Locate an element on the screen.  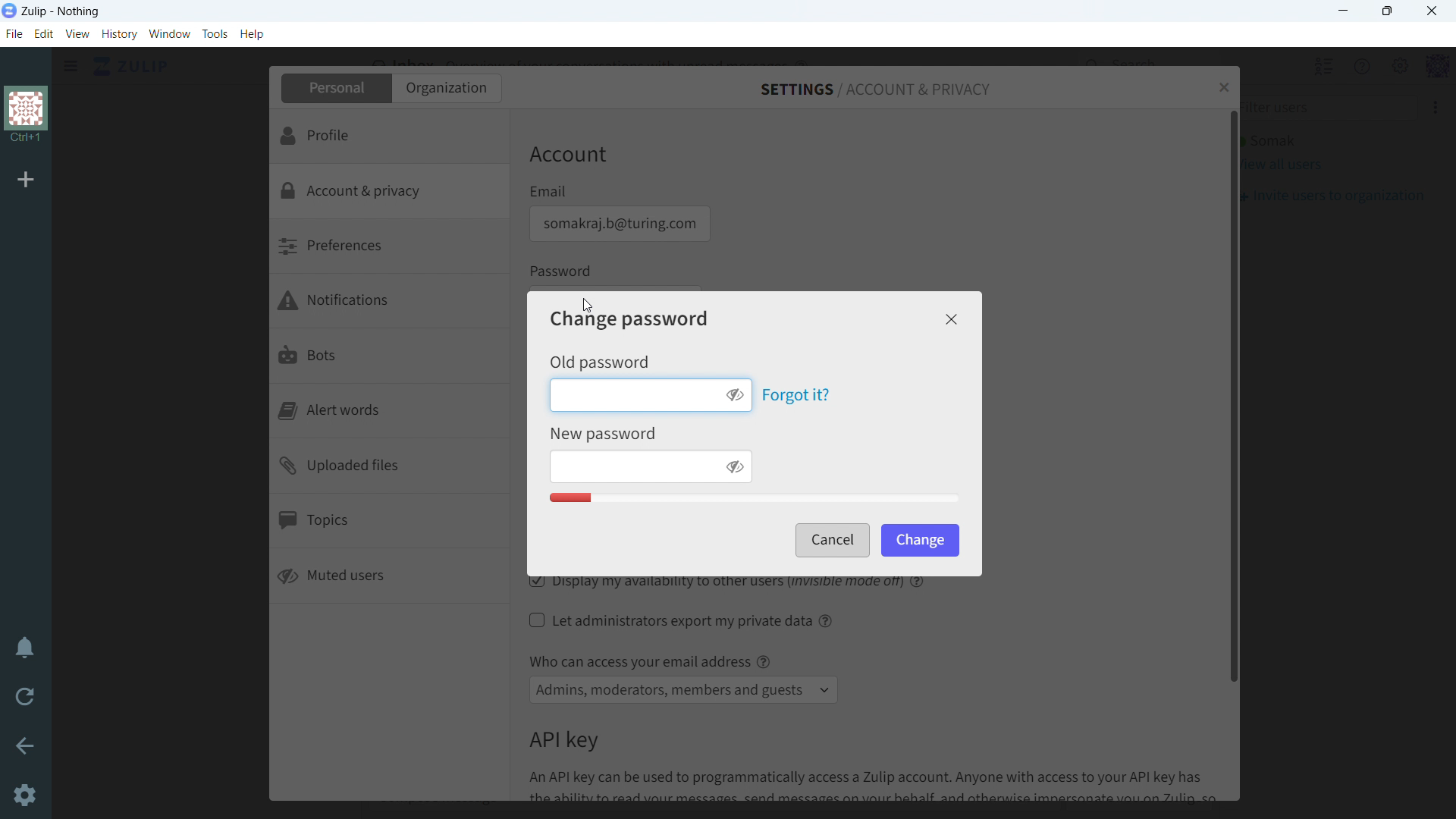
topics is located at coordinates (390, 523).